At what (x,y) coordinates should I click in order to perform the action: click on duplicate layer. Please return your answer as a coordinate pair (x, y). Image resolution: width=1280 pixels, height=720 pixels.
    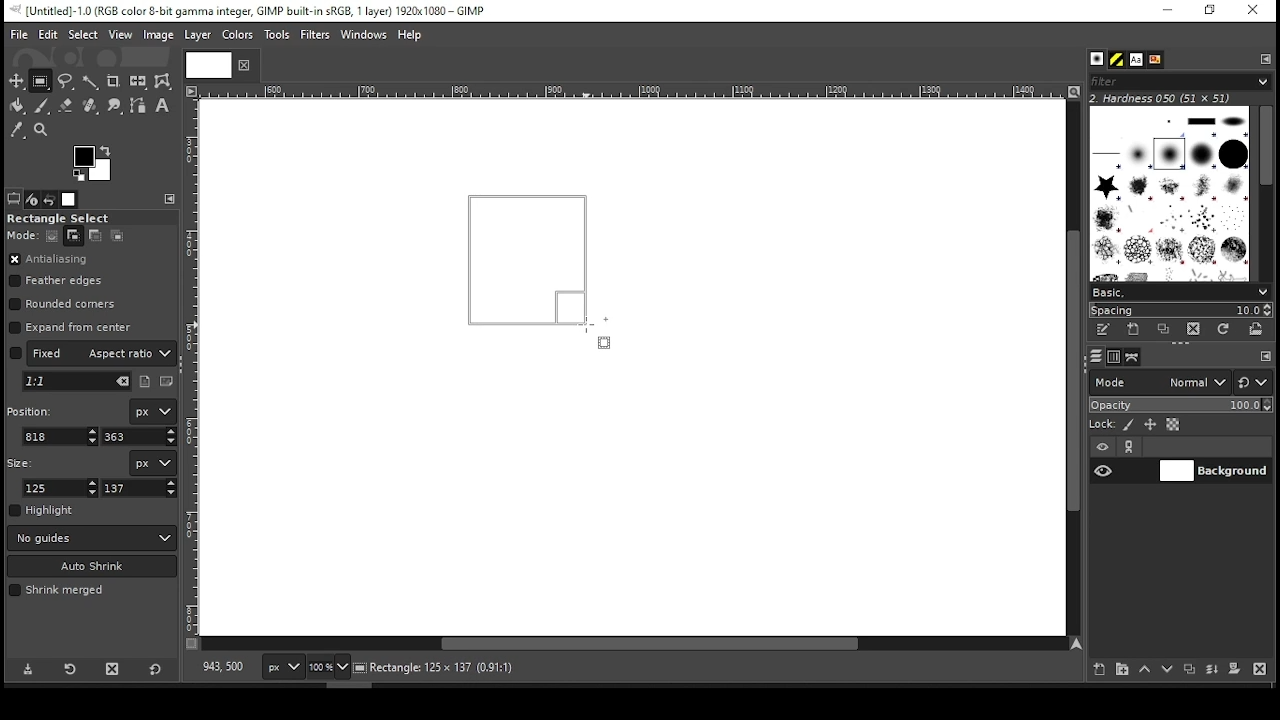
    Looking at the image, I should click on (1192, 671).